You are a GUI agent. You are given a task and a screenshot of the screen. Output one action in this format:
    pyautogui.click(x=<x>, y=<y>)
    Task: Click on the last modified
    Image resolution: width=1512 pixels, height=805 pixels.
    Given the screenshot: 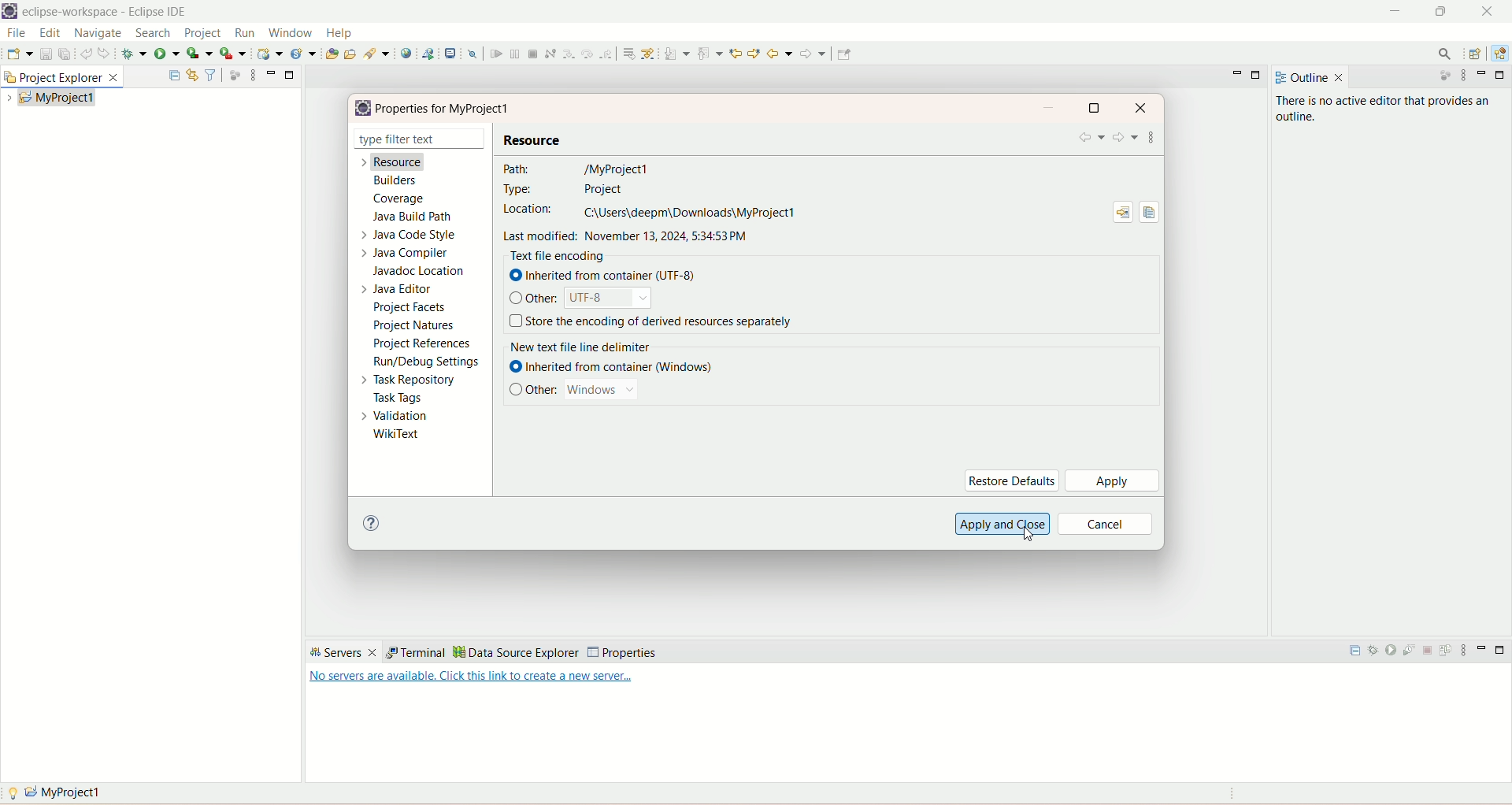 What is the action you would take?
    pyautogui.click(x=630, y=237)
    